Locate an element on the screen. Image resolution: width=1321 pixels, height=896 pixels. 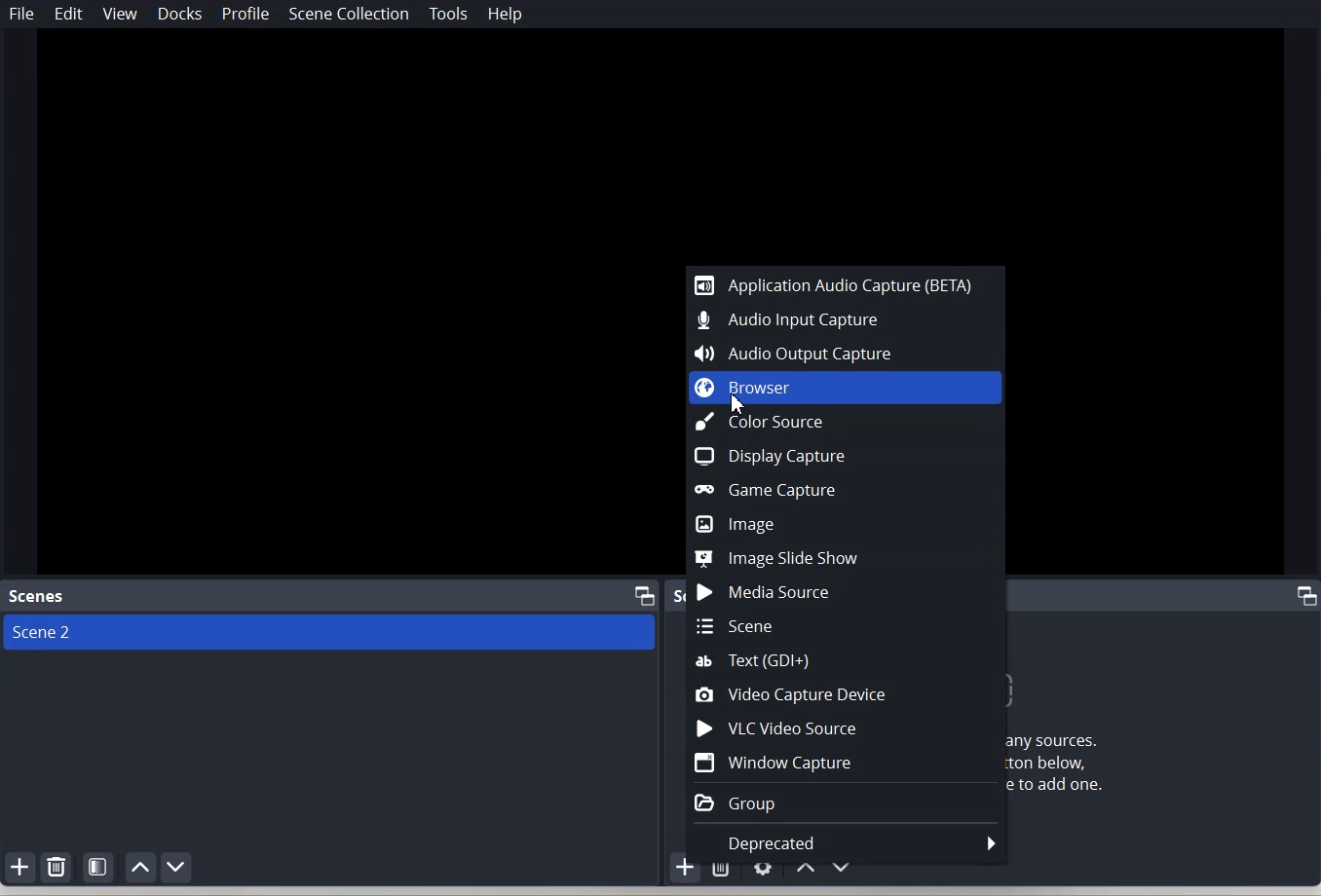
Open Source Properties is located at coordinates (764, 872).